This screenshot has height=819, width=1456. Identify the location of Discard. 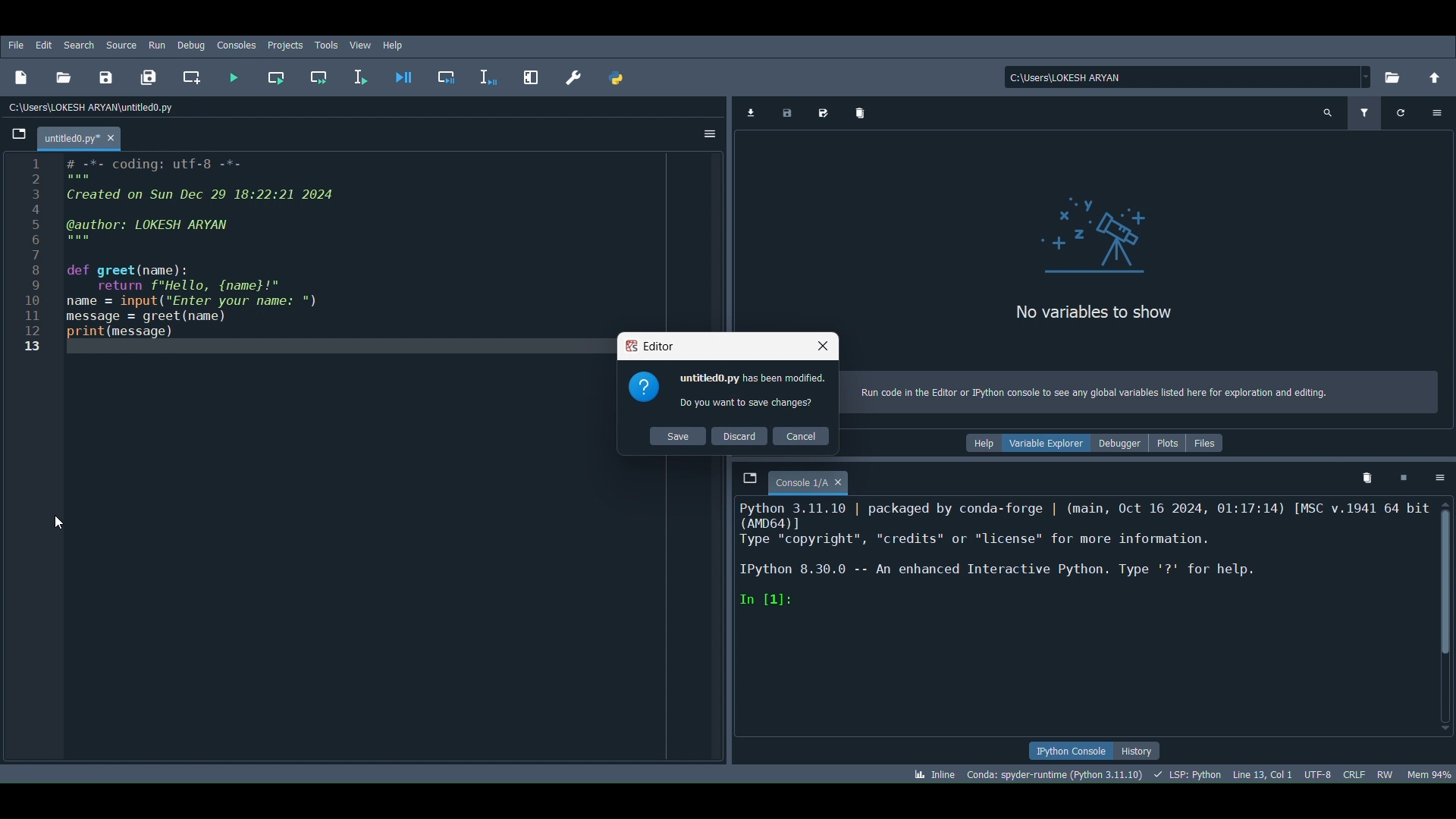
(736, 434).